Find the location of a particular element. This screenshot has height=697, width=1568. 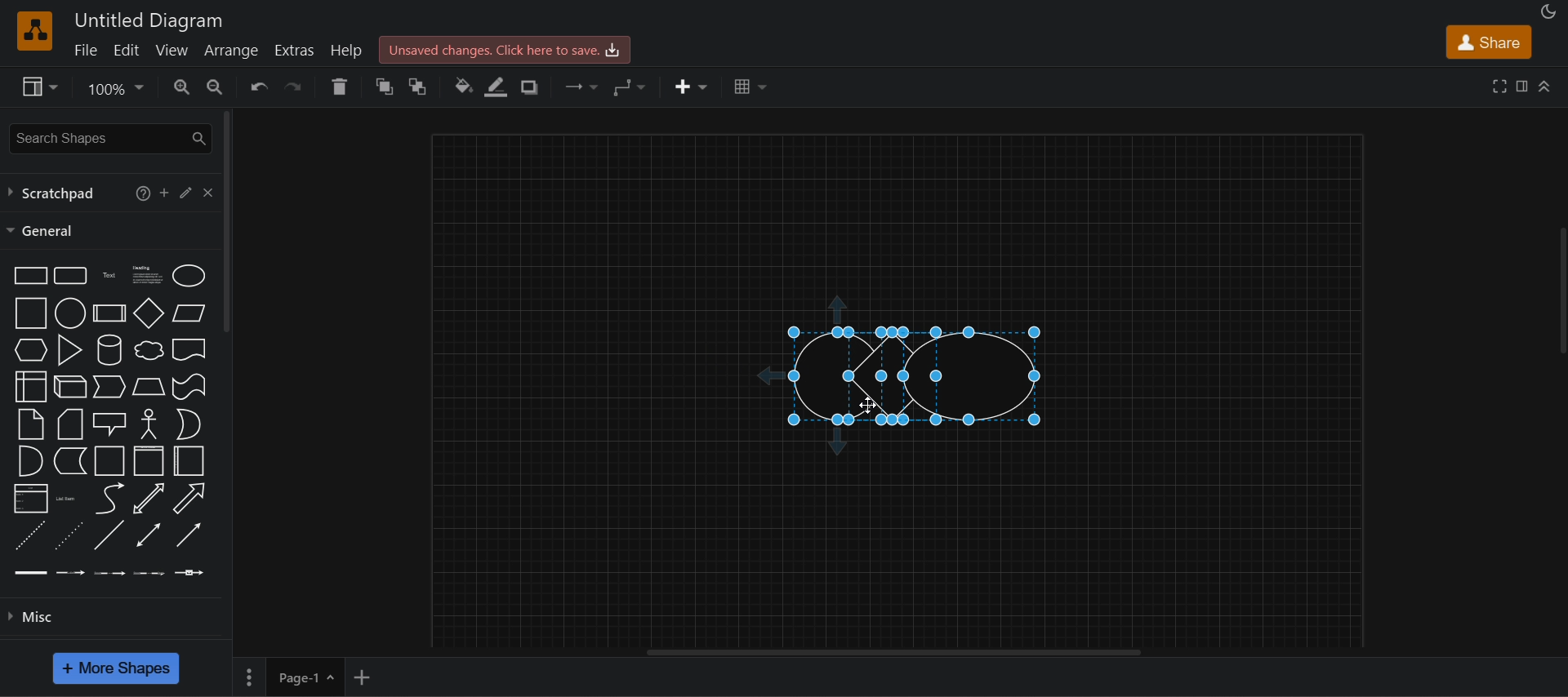

heading is located at coordinates (146, 273).